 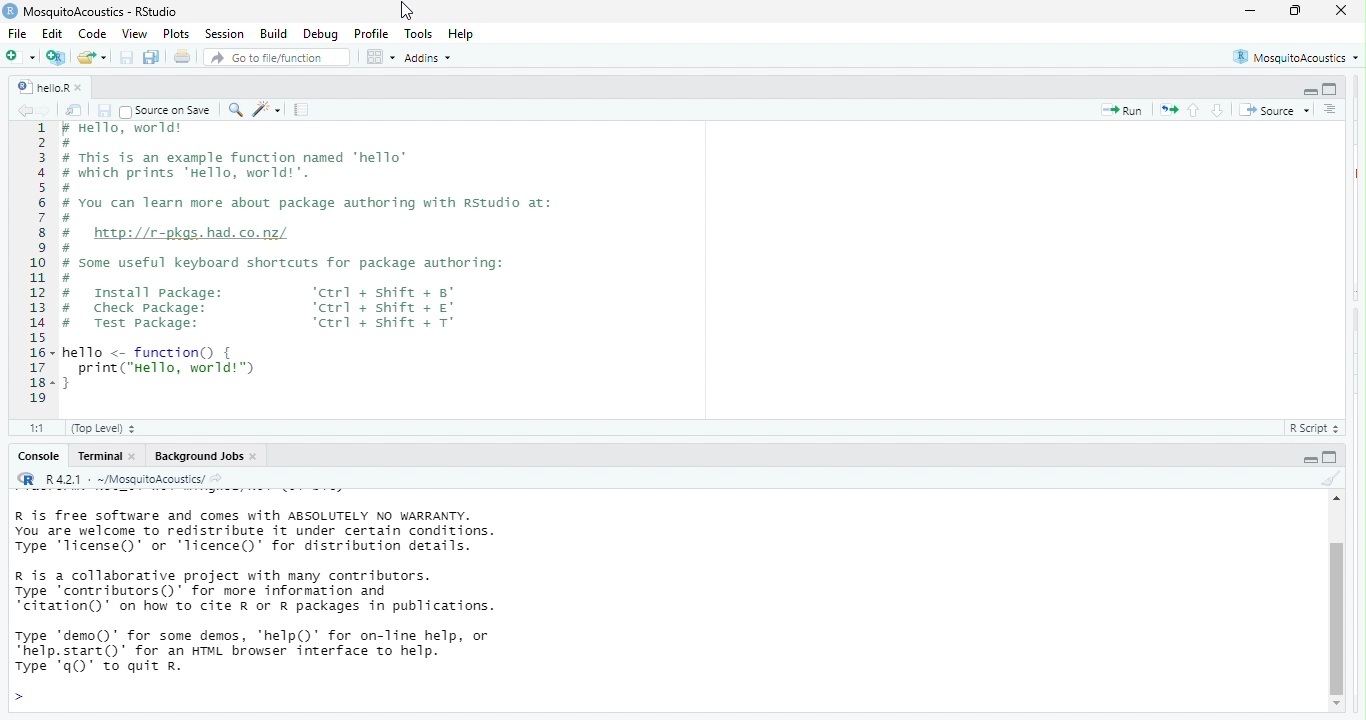 What do you see at coordinates (349, 261) in the screenshot?
I see `hello,world # oo# This is an example function named hello’# which prints ‘Hello, world!.## You can learn more about package authoring with Rstudio at:##  hrep://r-pkgs. had. co.nz/## some useful keyboard shortcuts for package authoring:## Install package: ‘ctrl + shift + 8°# check package: ‘ctrl + shift +# Test package: ‘ctrl + shift + T°hello <- function()_{print("Hello, world!™)¥` at bounding box center [349, 261].